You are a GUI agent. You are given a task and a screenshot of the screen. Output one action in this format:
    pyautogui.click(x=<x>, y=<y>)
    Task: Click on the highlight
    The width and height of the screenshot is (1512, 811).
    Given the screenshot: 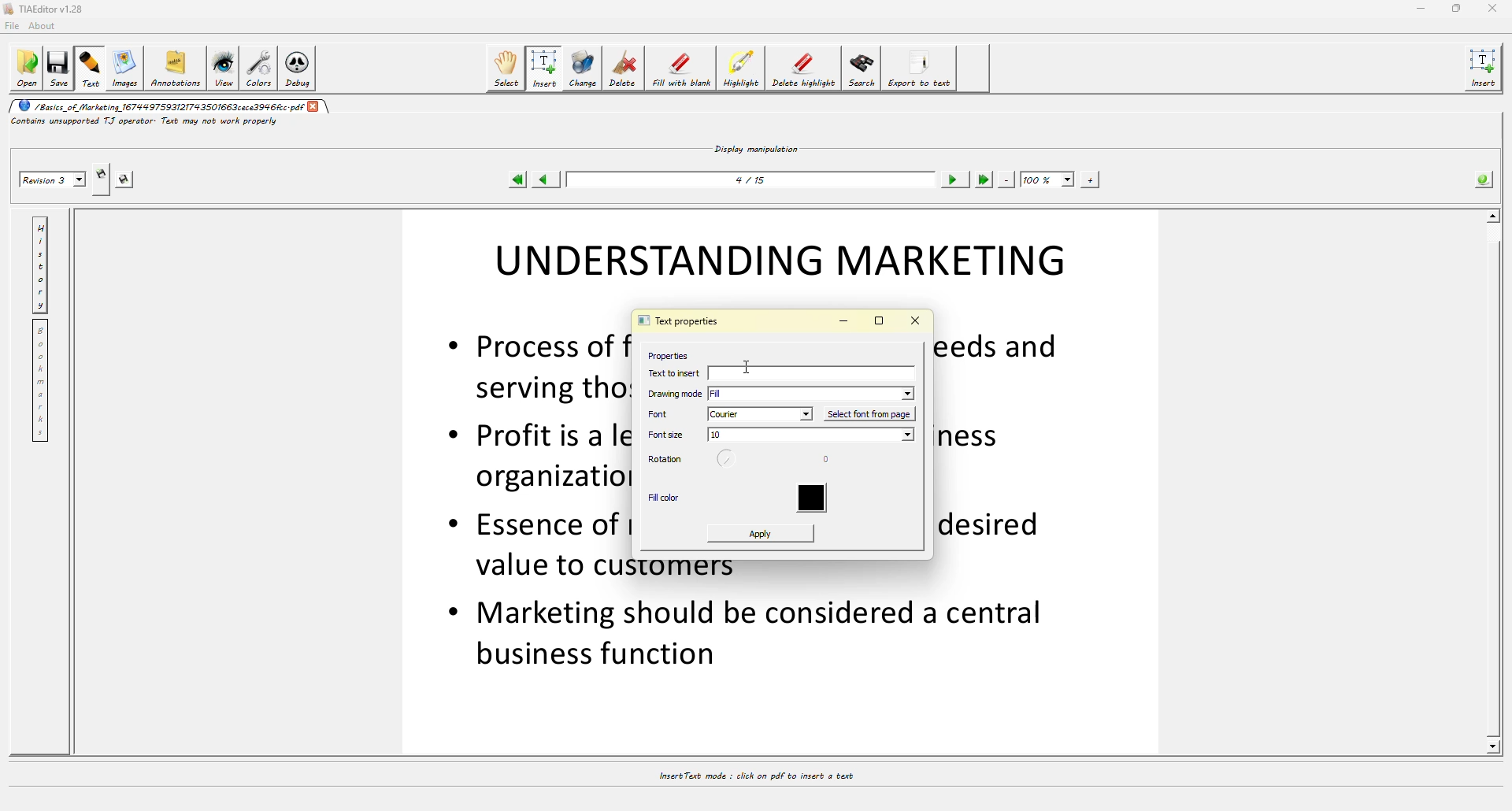 What is the action you would take?
    pyautogui.click(x=741, y=69)
    